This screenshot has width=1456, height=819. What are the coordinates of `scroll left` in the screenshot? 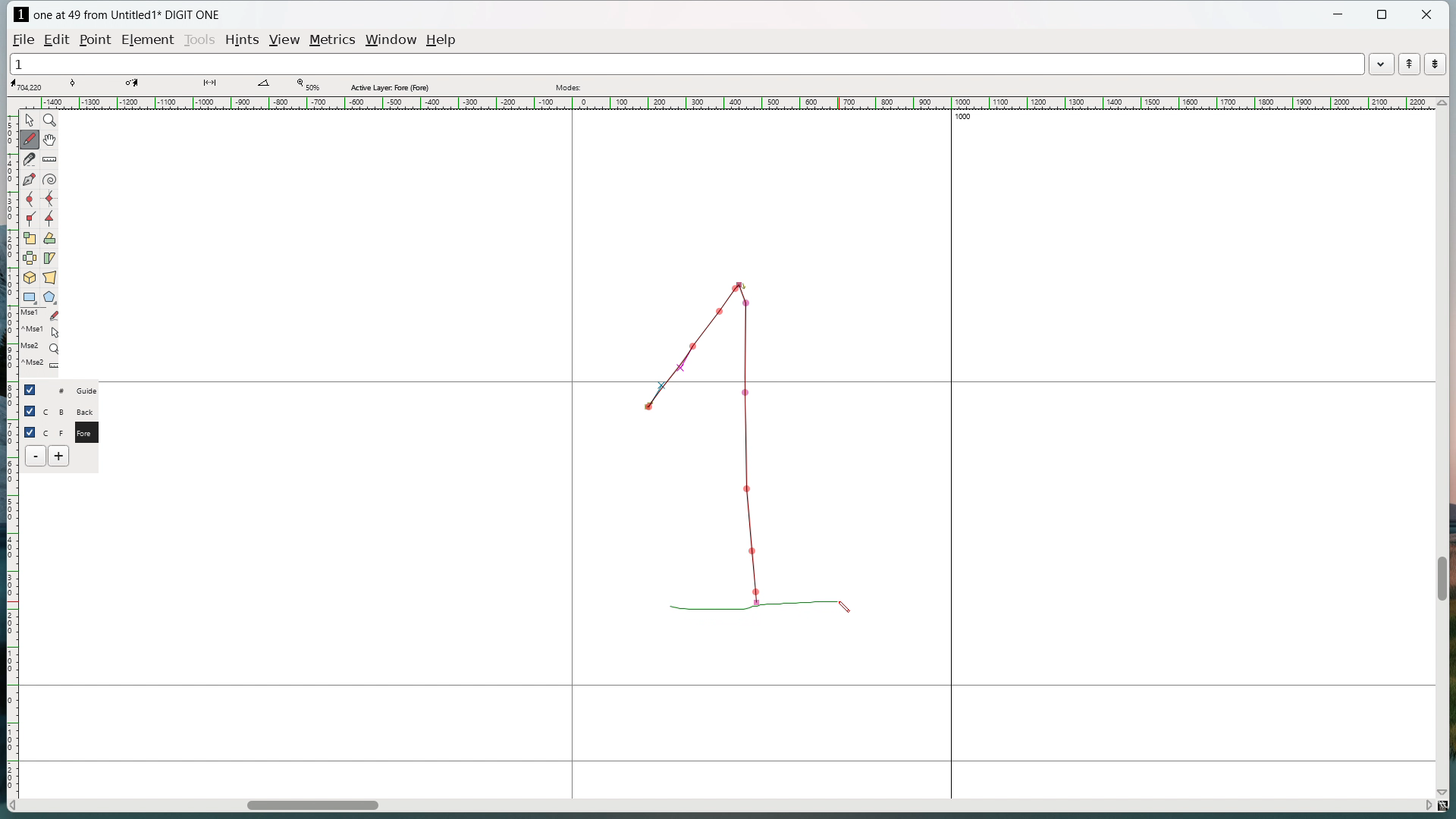 It's located at (14, 806).